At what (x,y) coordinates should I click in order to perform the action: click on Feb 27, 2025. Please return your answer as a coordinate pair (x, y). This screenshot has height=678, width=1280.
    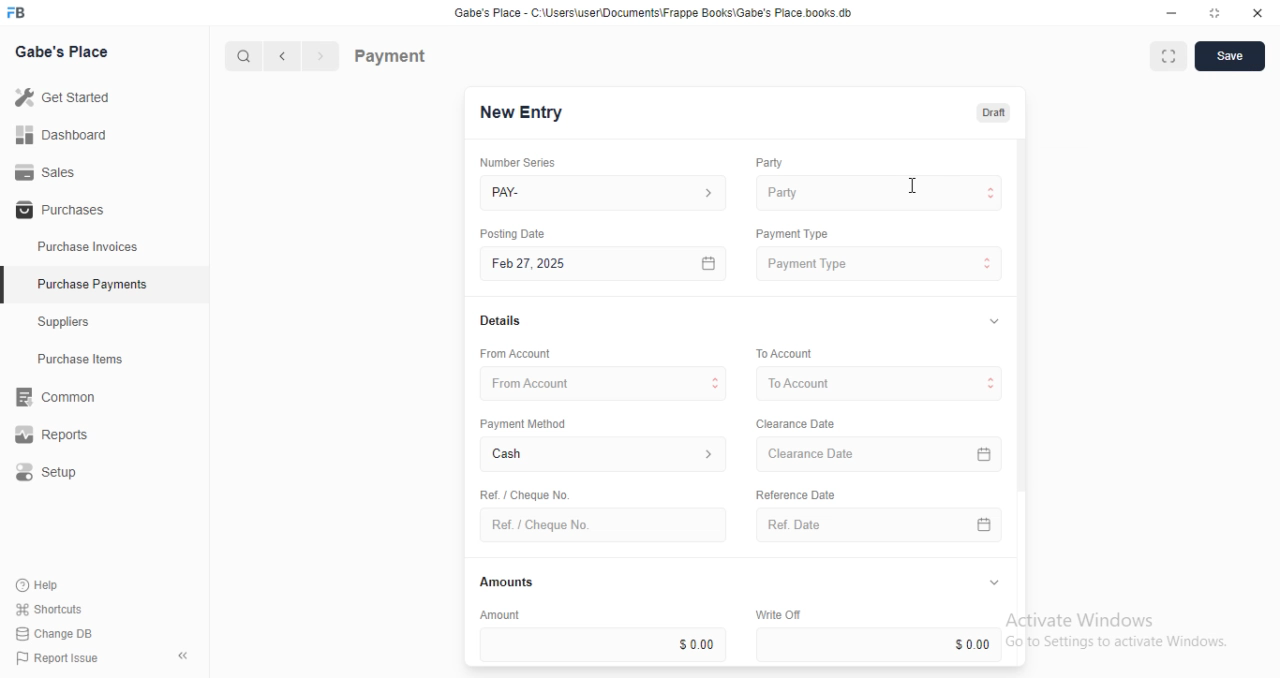
    Looking at the image, I should click on (606, 264).